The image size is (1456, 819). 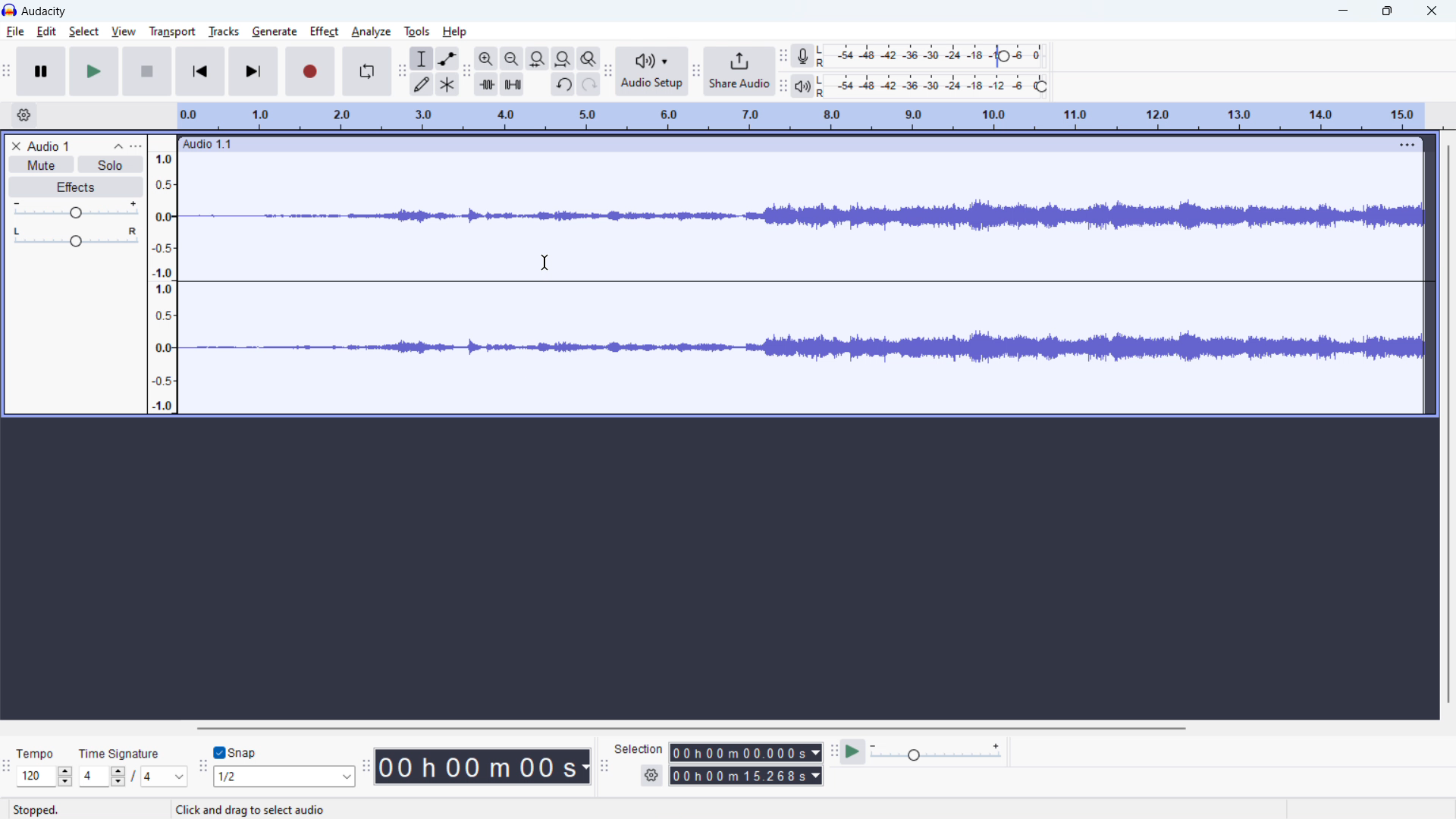 I want to click on pan: center, so click(x=77, y=237).